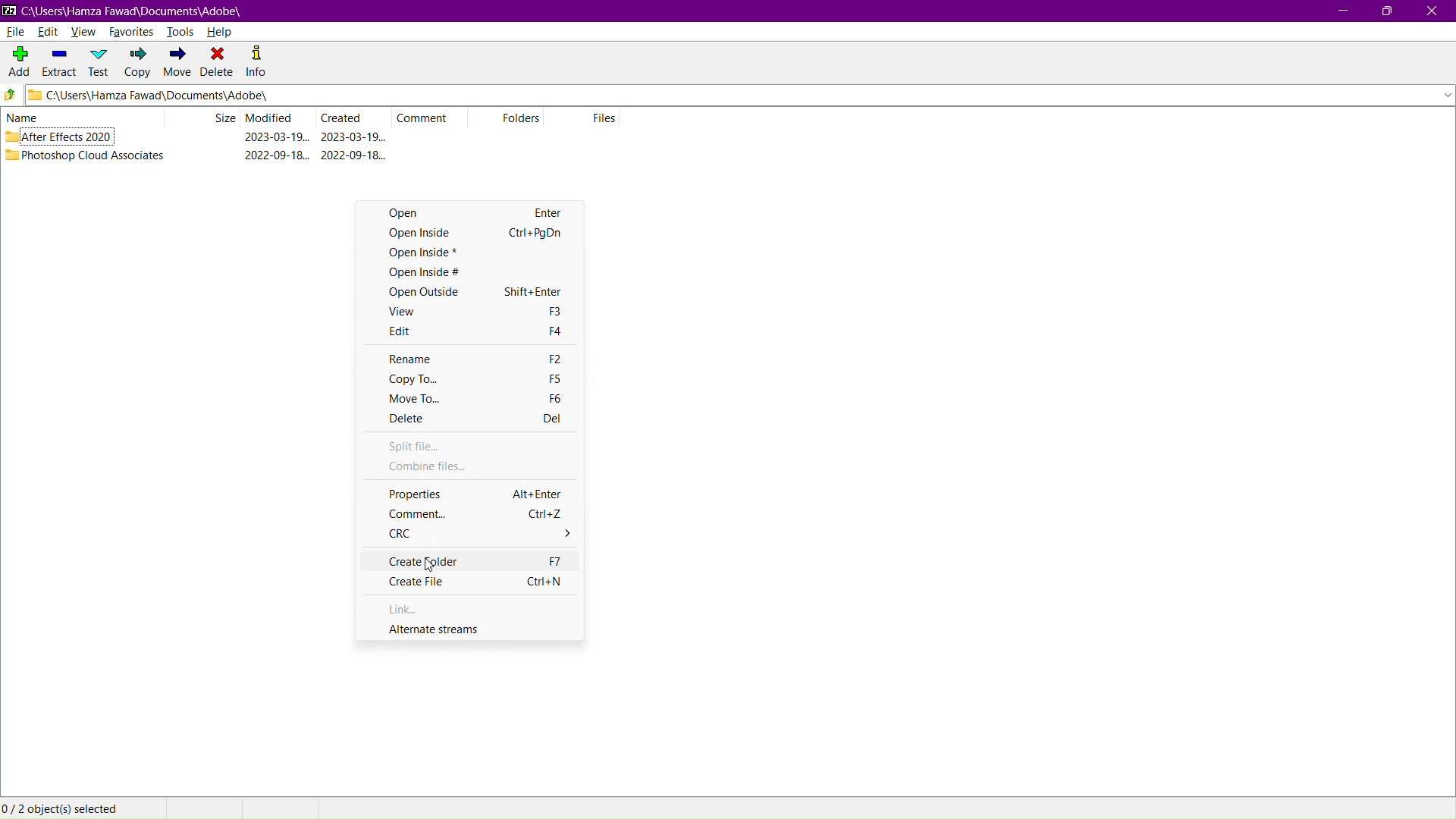 The image size is (1456, 819). Describe the element at coordinates (1340, 11) in the screenshot. I see `Minimize` at that location.